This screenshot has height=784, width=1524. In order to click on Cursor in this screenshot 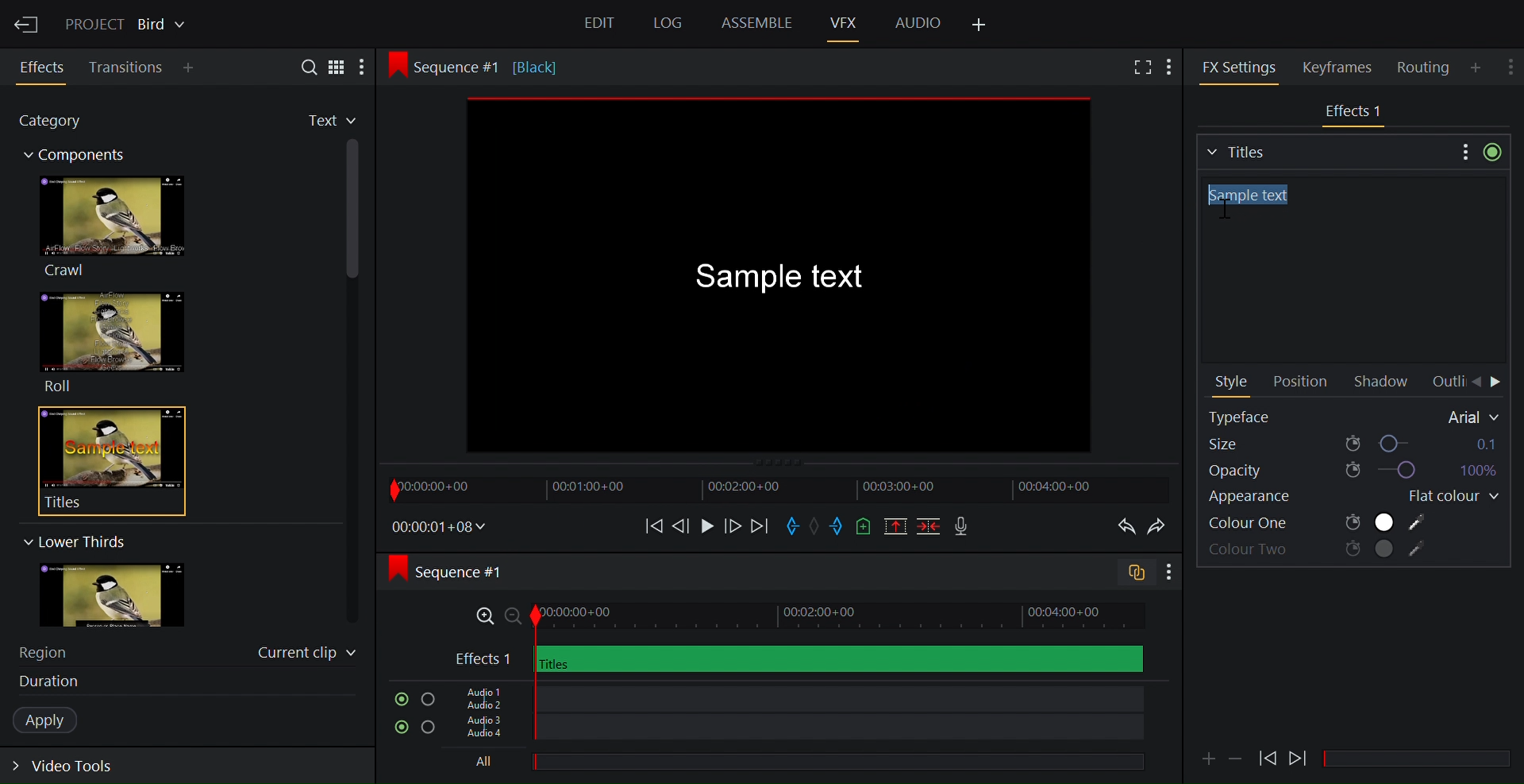, I will do `click(1221, 213)`.